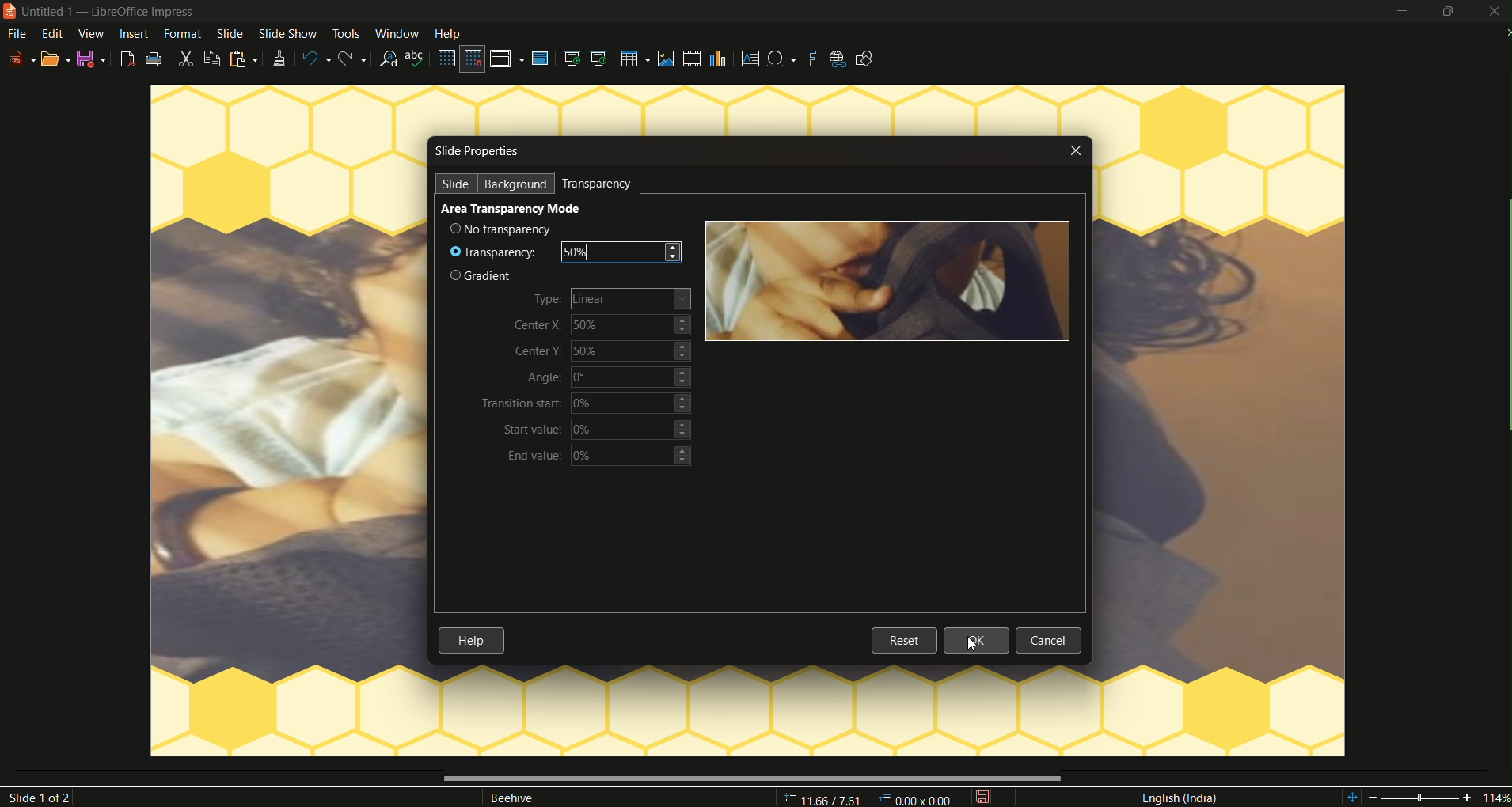  Describe the element at coordinates (678, 260) in the screenshot. I see `decrease transparency` at that location.